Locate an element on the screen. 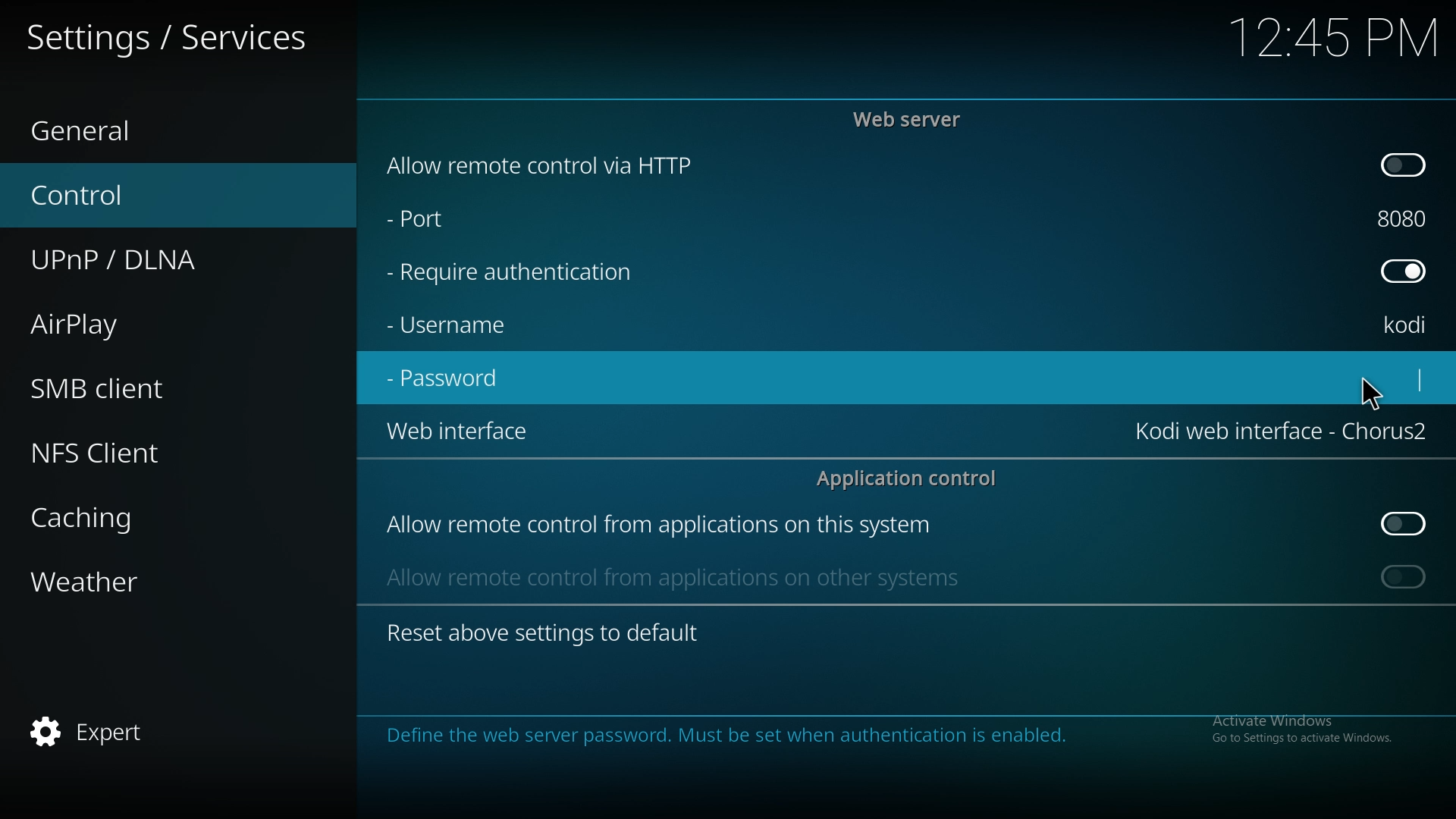 This screenshot has width=1456, height=819. off is located at coordinates (1403, 269).